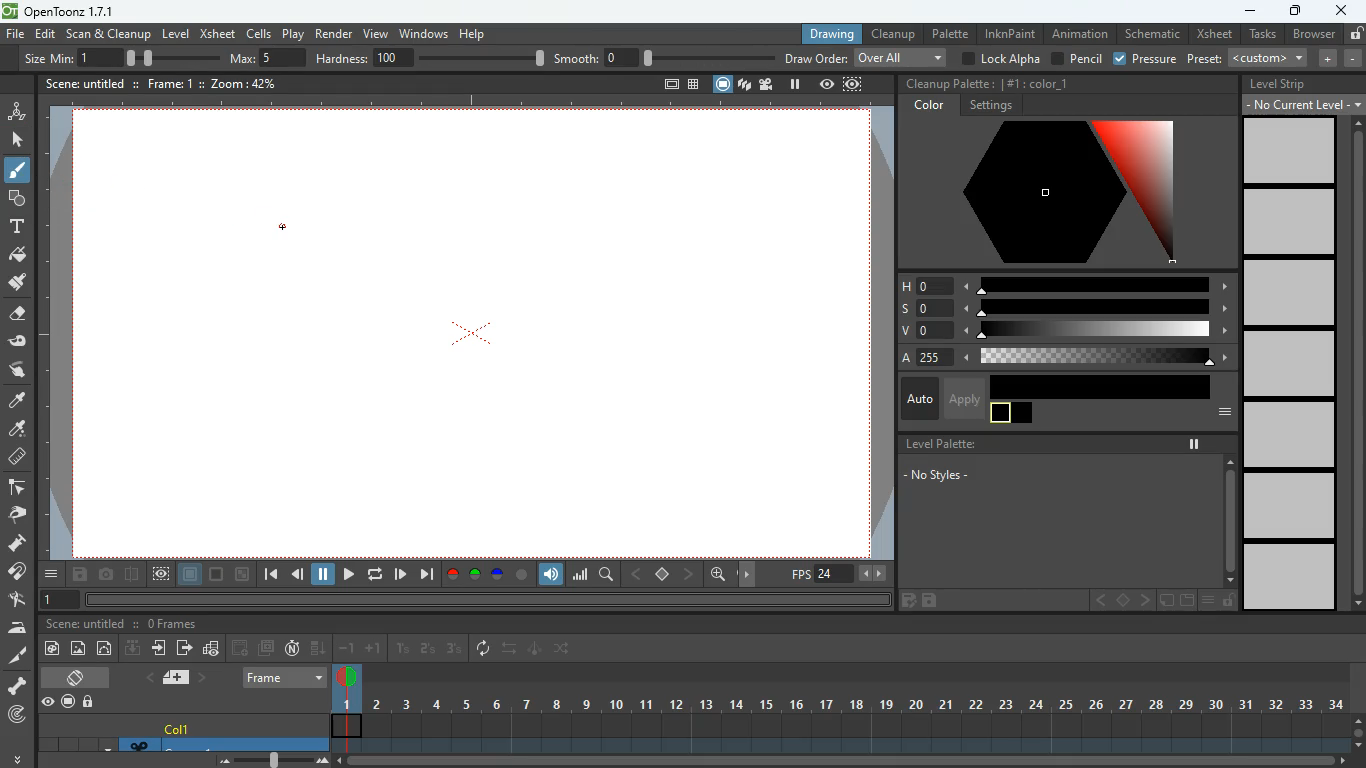 The width and height of the screenshot is (1366, 768). I want to click on title, so click(84, 82).